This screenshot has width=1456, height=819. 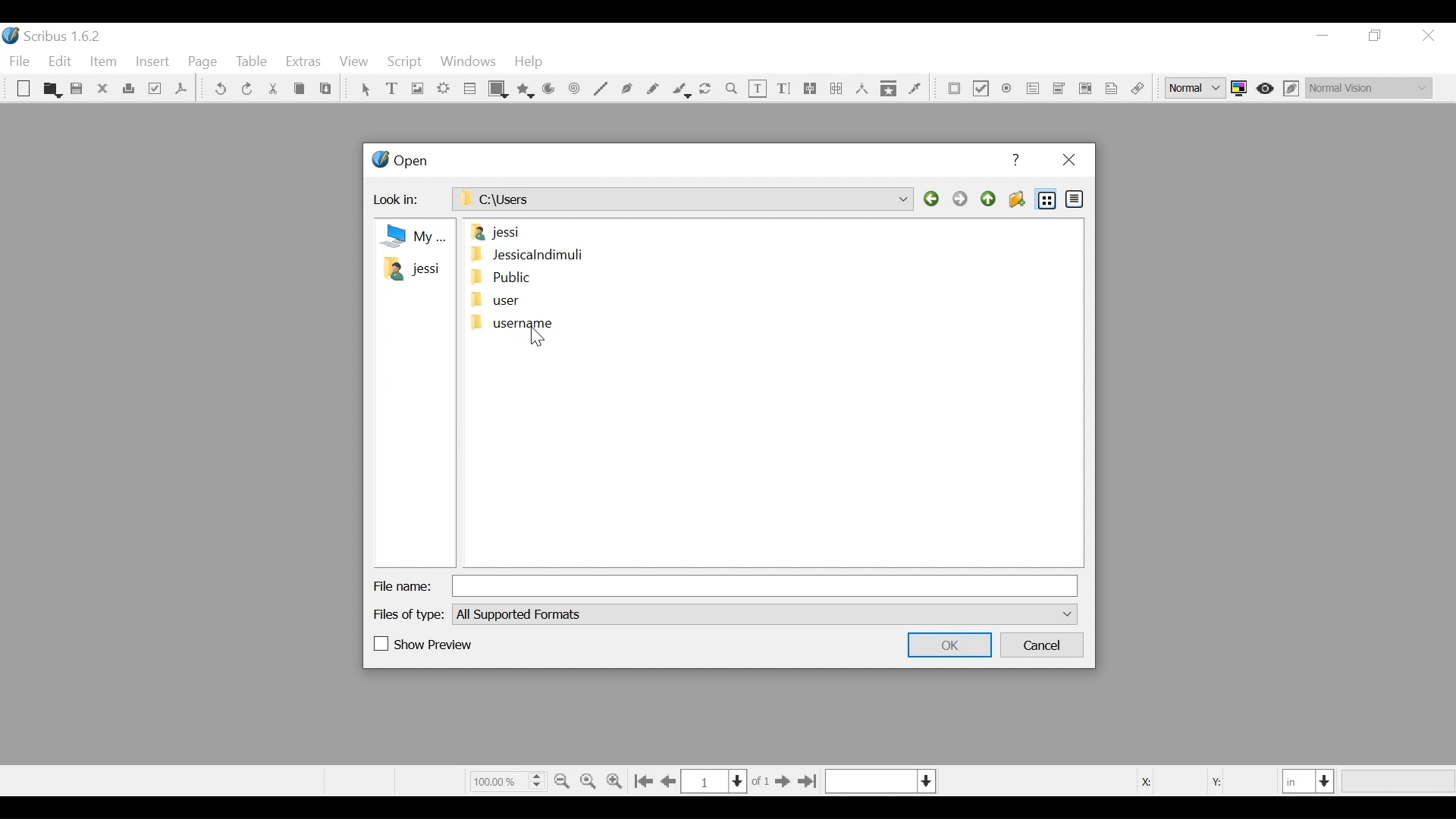 What do you see at coordinates (767, 585) in the screenshot?
I see `File Name Field` at bounding box center [767, 585].